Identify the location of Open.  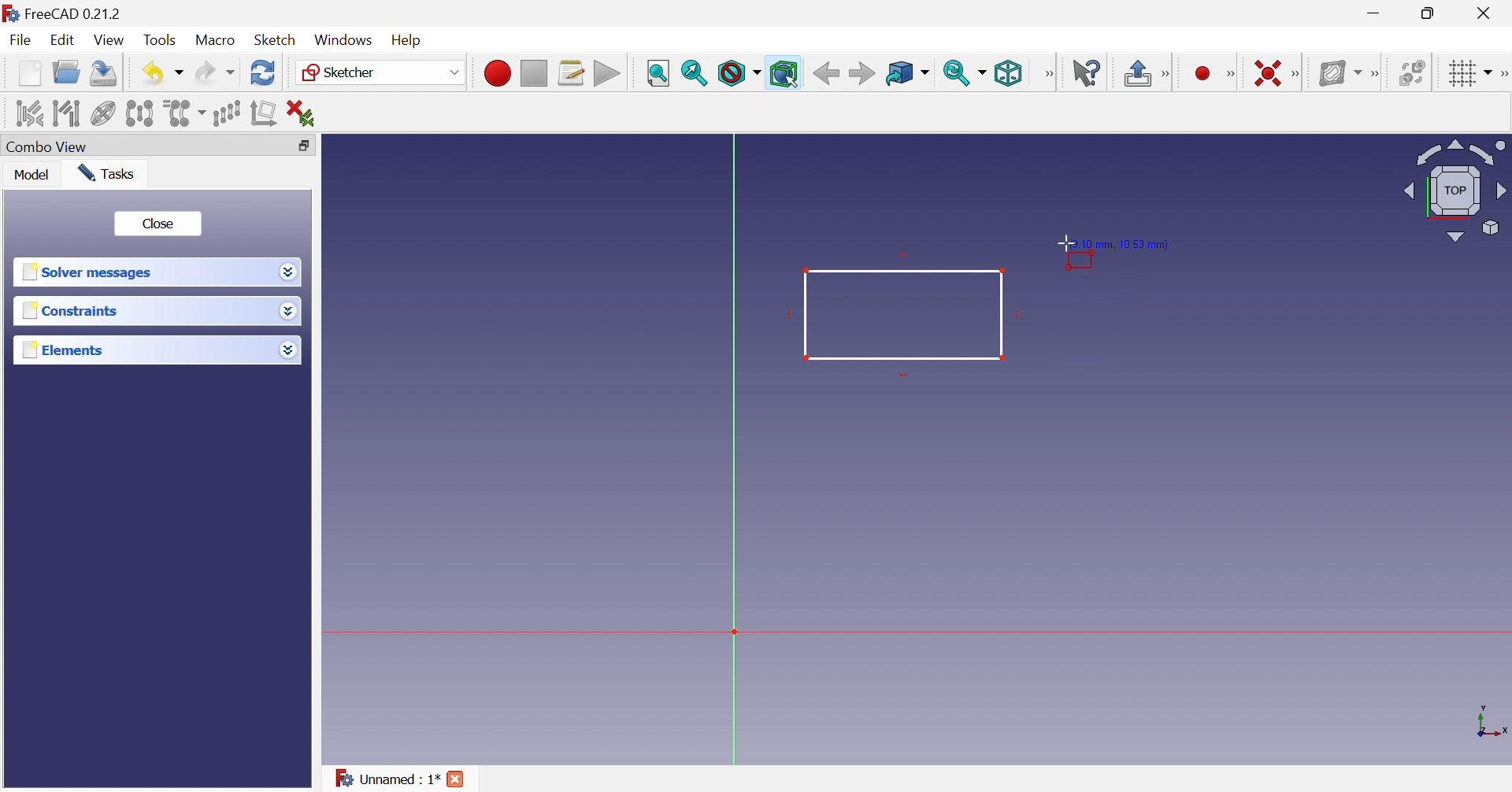
(67, 72).